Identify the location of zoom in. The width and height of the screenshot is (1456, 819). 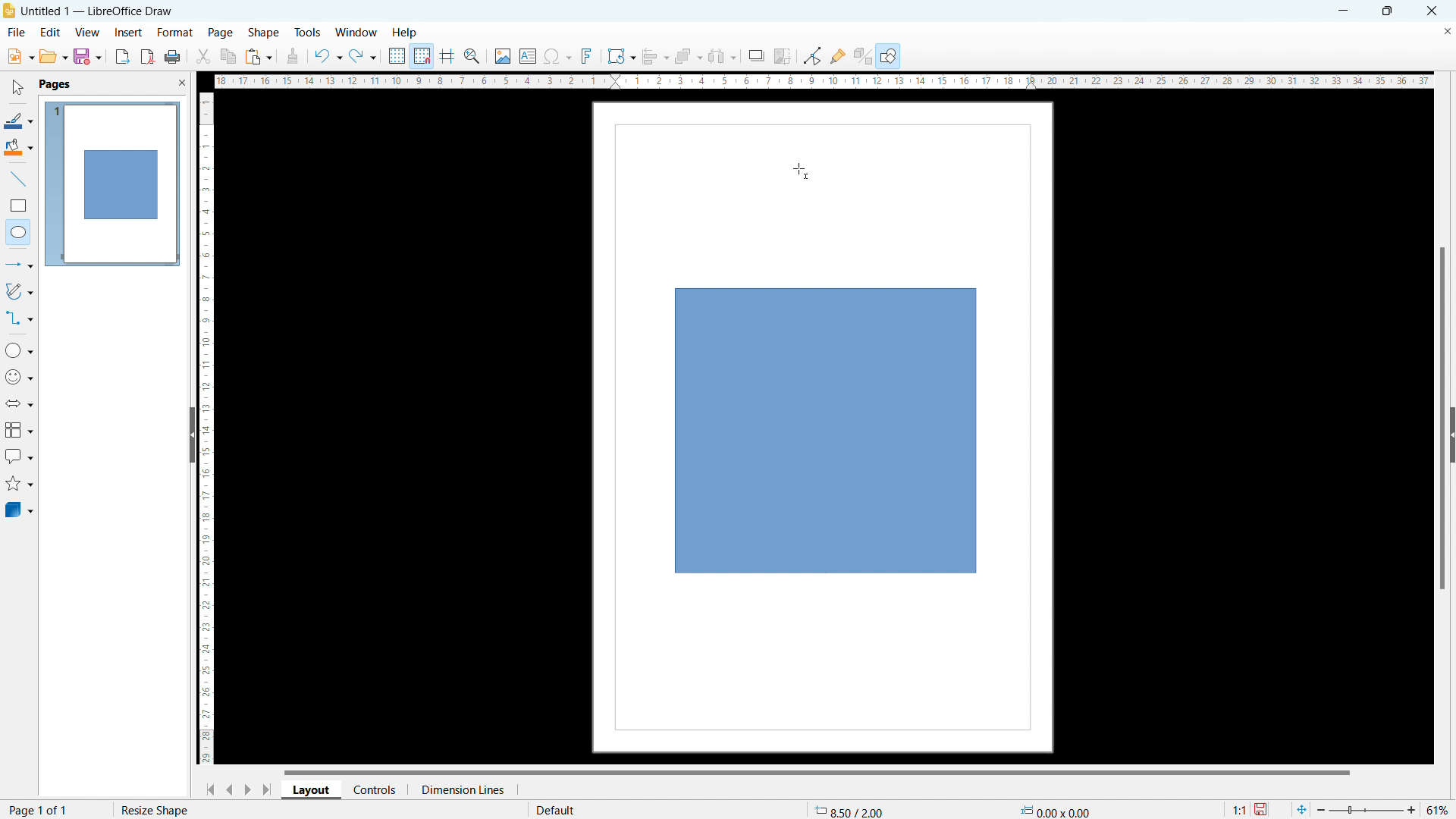
(1412, 808).